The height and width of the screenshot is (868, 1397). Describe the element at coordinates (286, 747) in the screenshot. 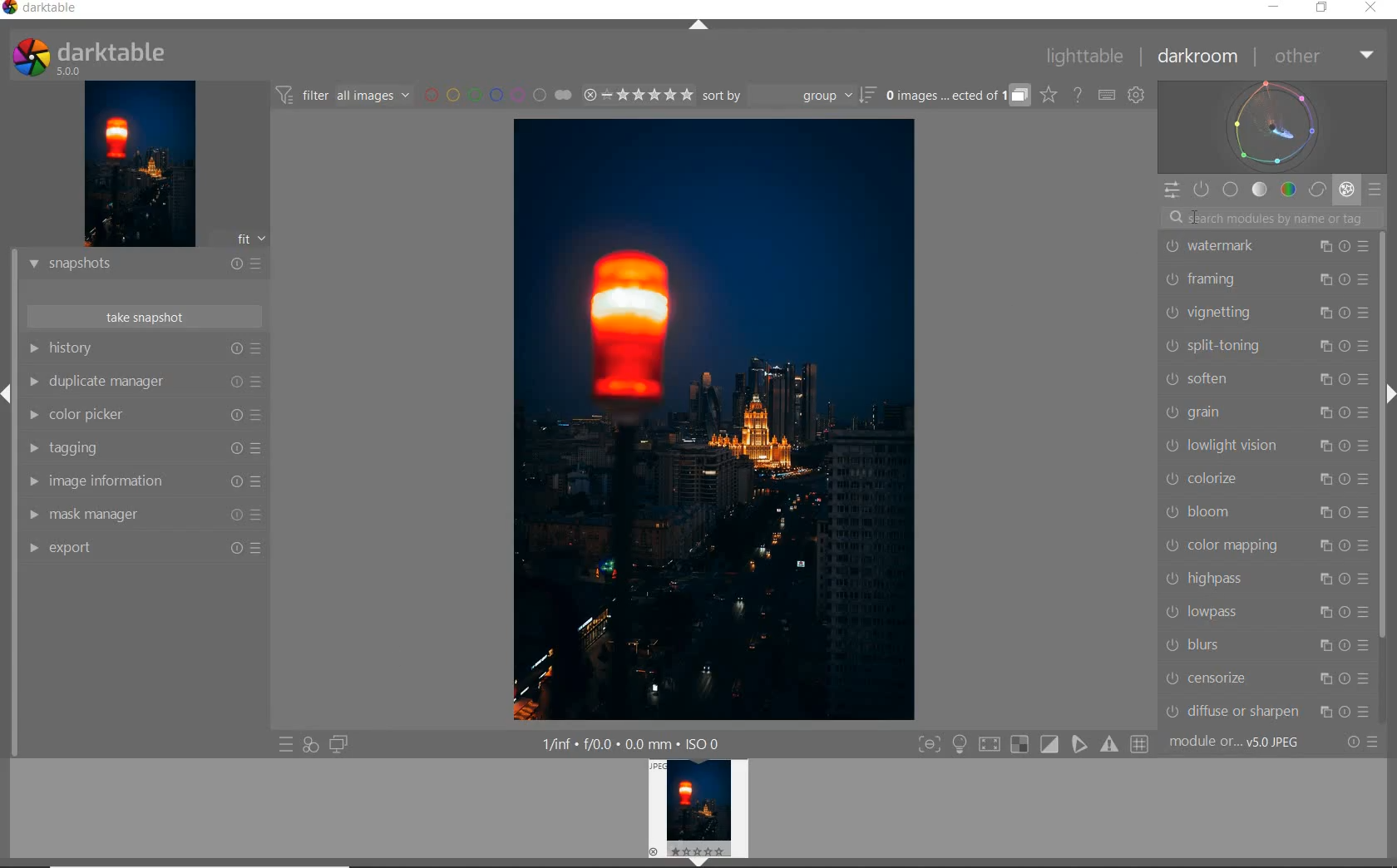

I see `QUICK ACCESS TO PRESET` at that location.